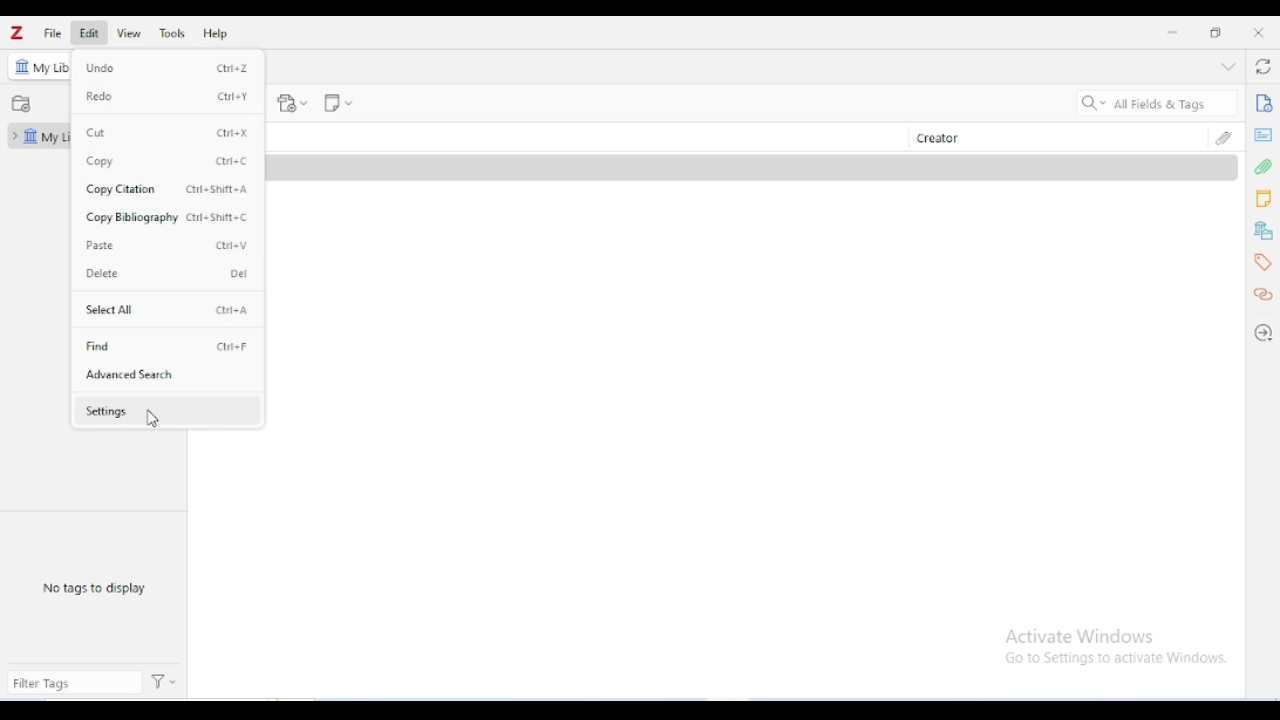  I want to click on edit, so click(89, 33).